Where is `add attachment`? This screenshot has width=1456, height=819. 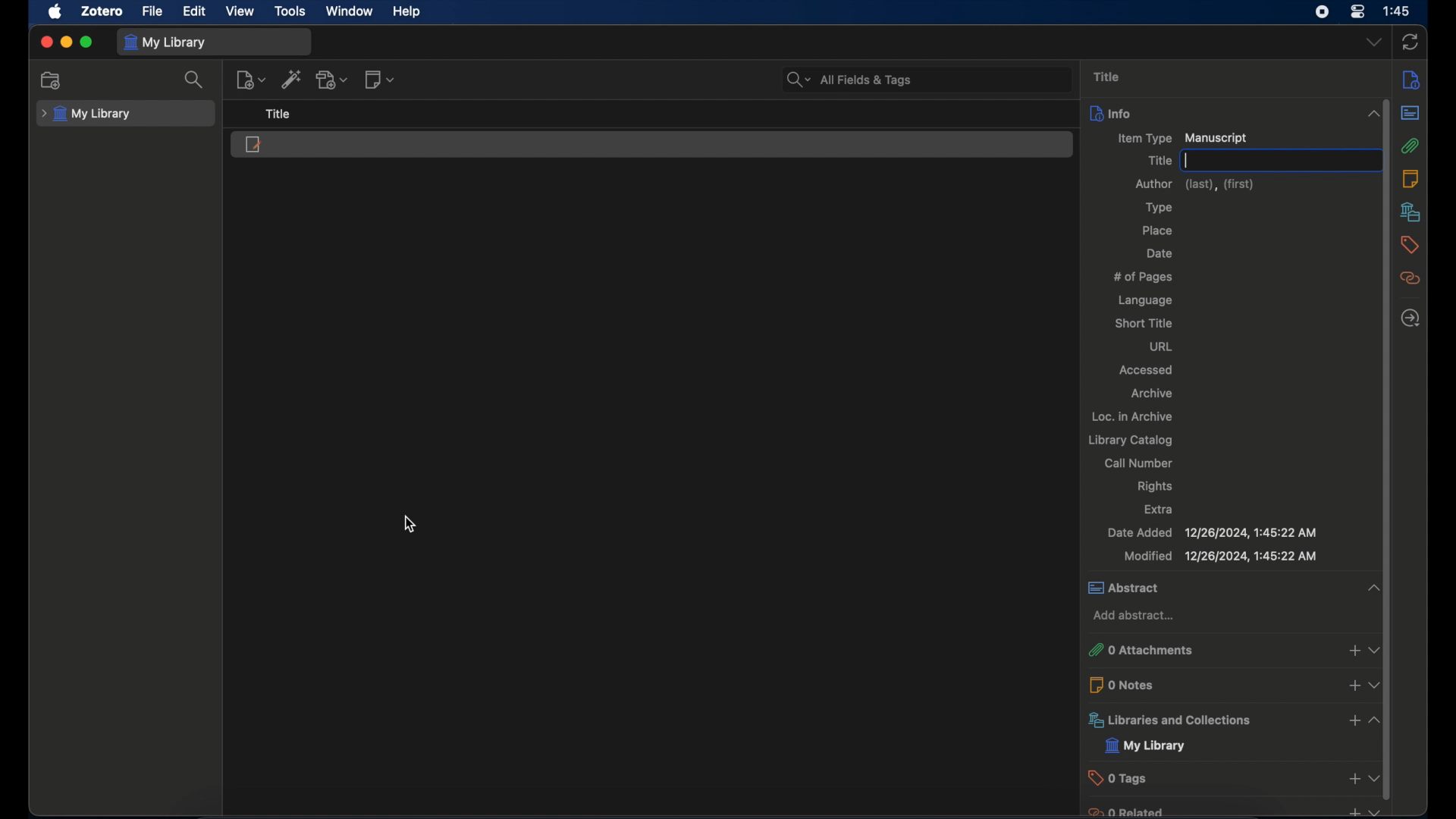
add attachment is located at coordinates (332, 79).